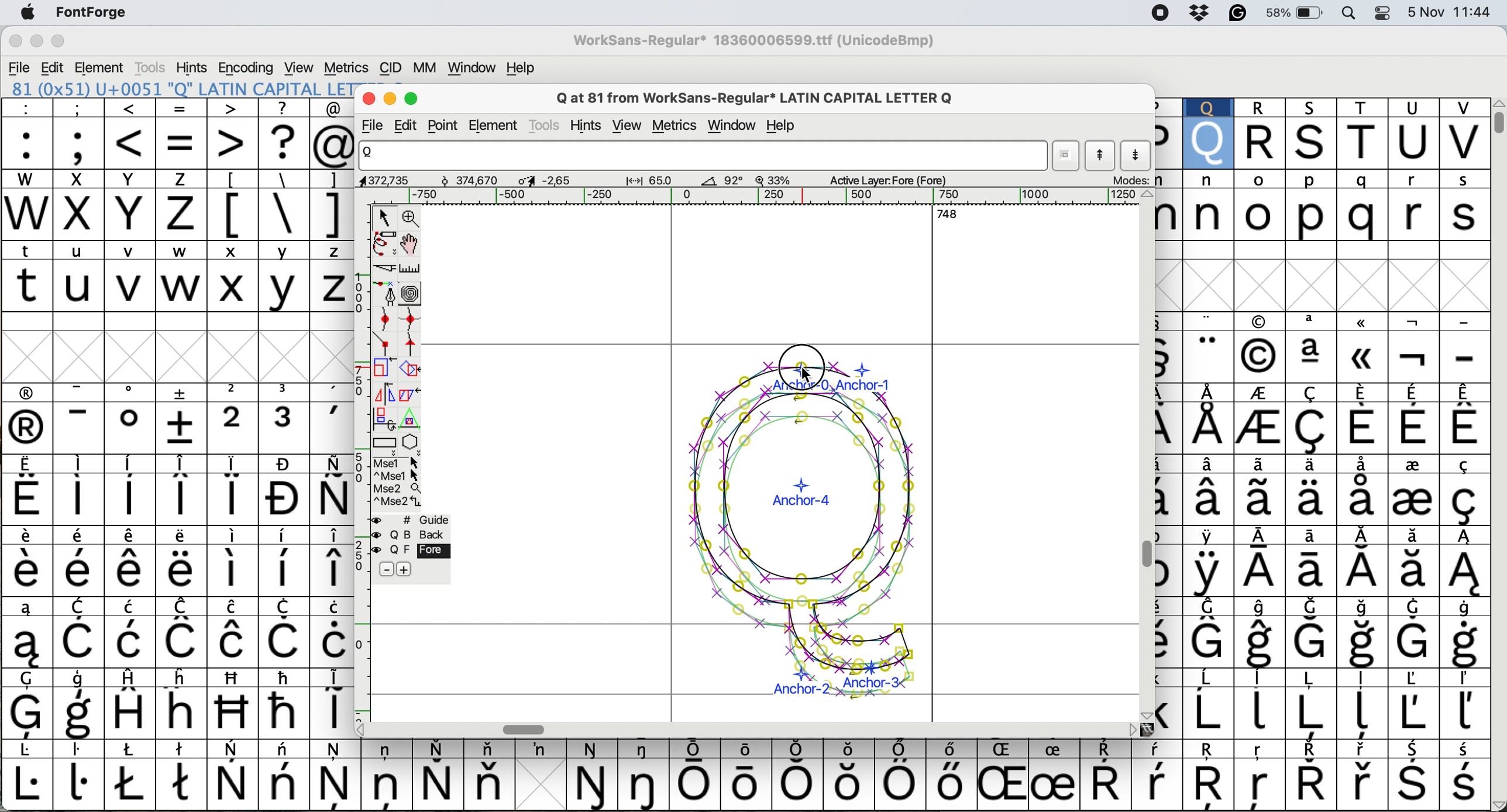 Image resolution: width=1507 pixels, height=812 pixels. Describe the element at coordinates (591, 123) in the screenshot. I see `hints` at that location.